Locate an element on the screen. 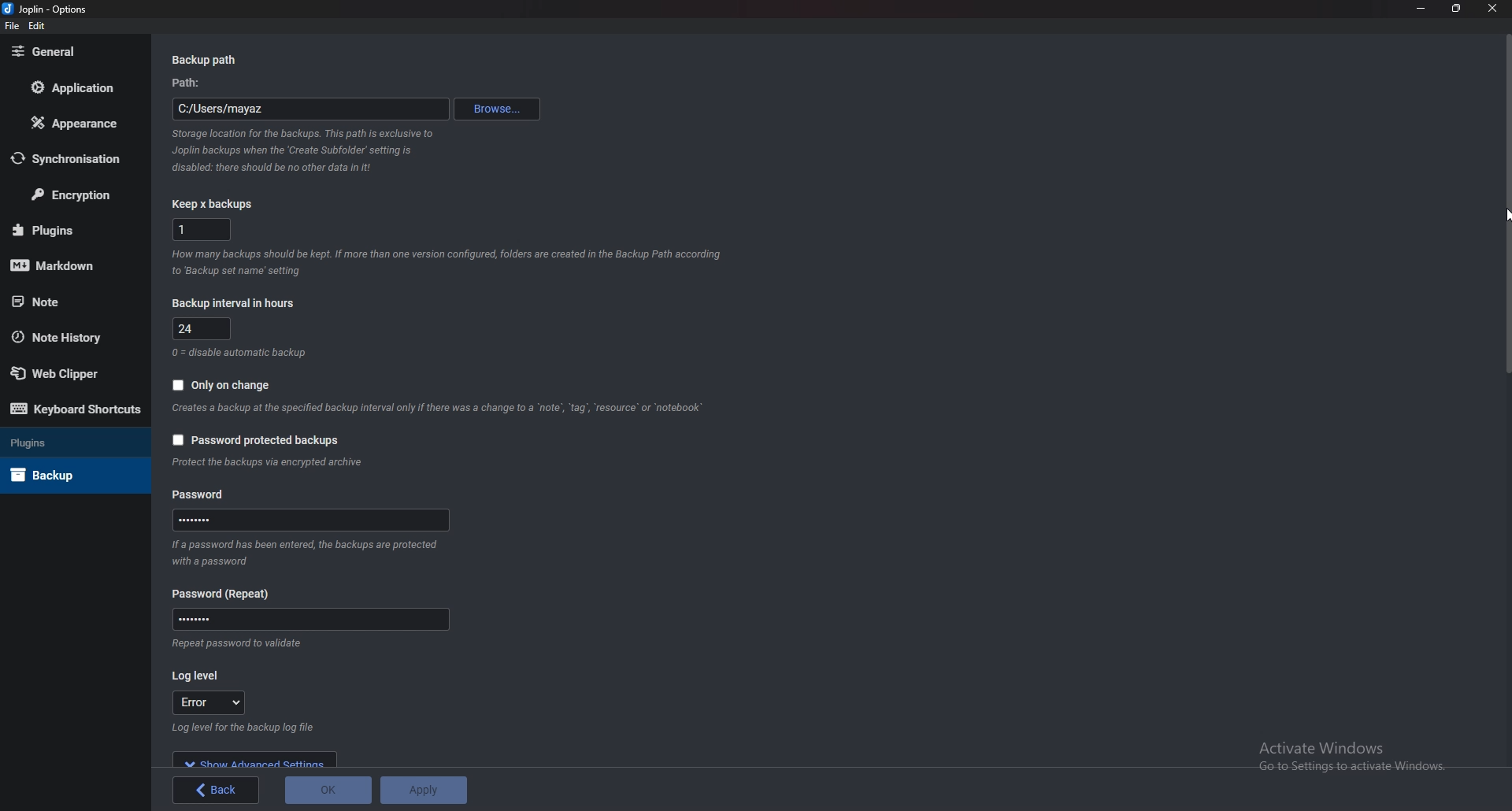  Back up is located at coordinates (69, 474).